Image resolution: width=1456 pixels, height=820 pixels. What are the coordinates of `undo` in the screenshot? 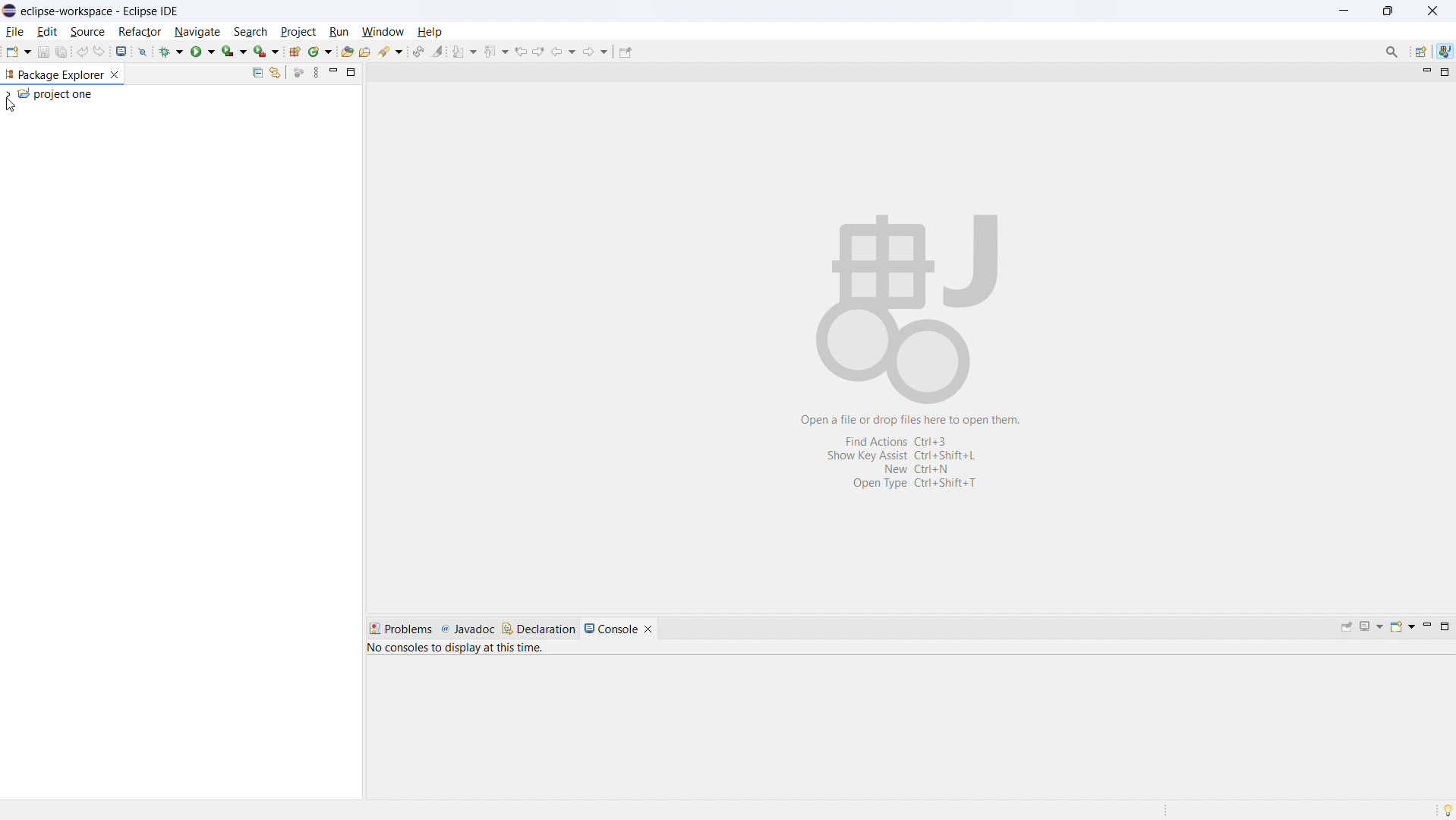 It's located at (82, 54).